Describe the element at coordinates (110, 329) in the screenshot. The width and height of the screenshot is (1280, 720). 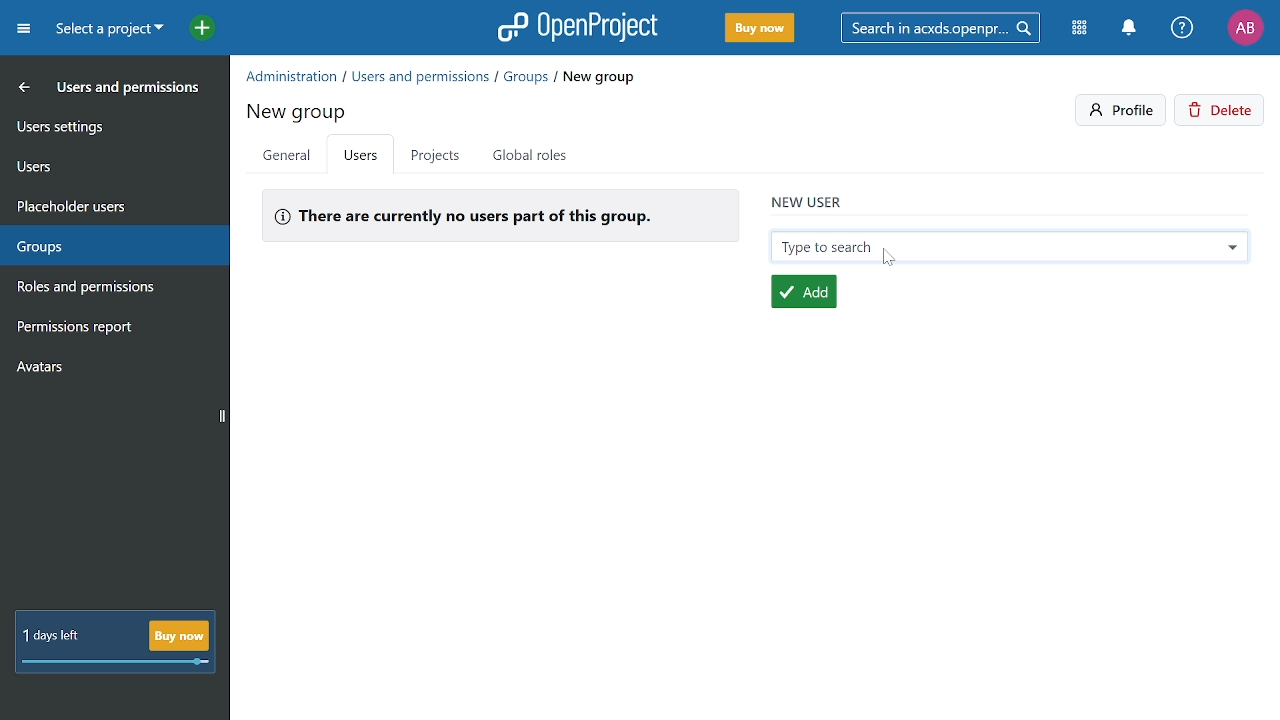
I see `Permission report` at that location.